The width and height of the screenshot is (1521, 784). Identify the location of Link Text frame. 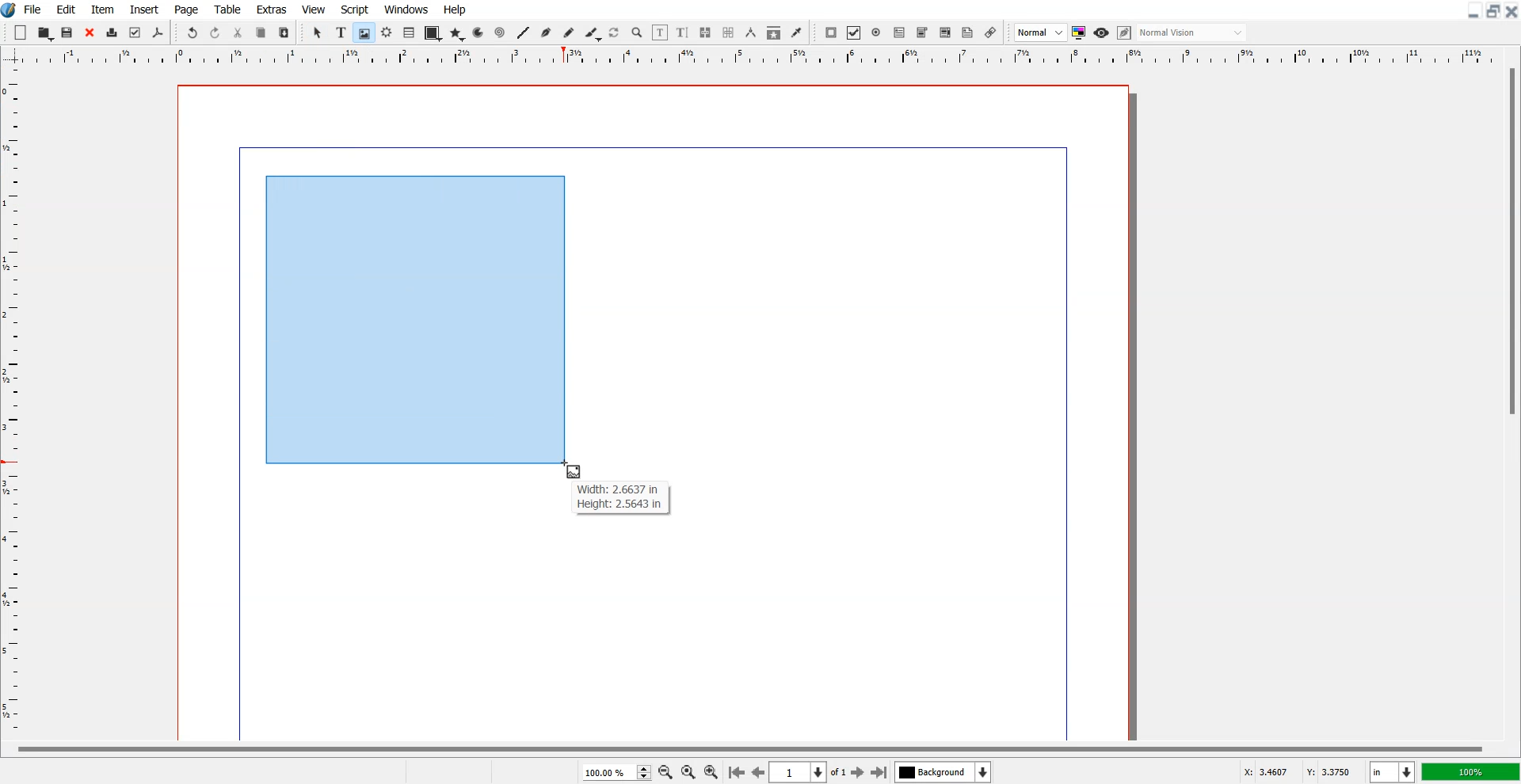
(705, 32).